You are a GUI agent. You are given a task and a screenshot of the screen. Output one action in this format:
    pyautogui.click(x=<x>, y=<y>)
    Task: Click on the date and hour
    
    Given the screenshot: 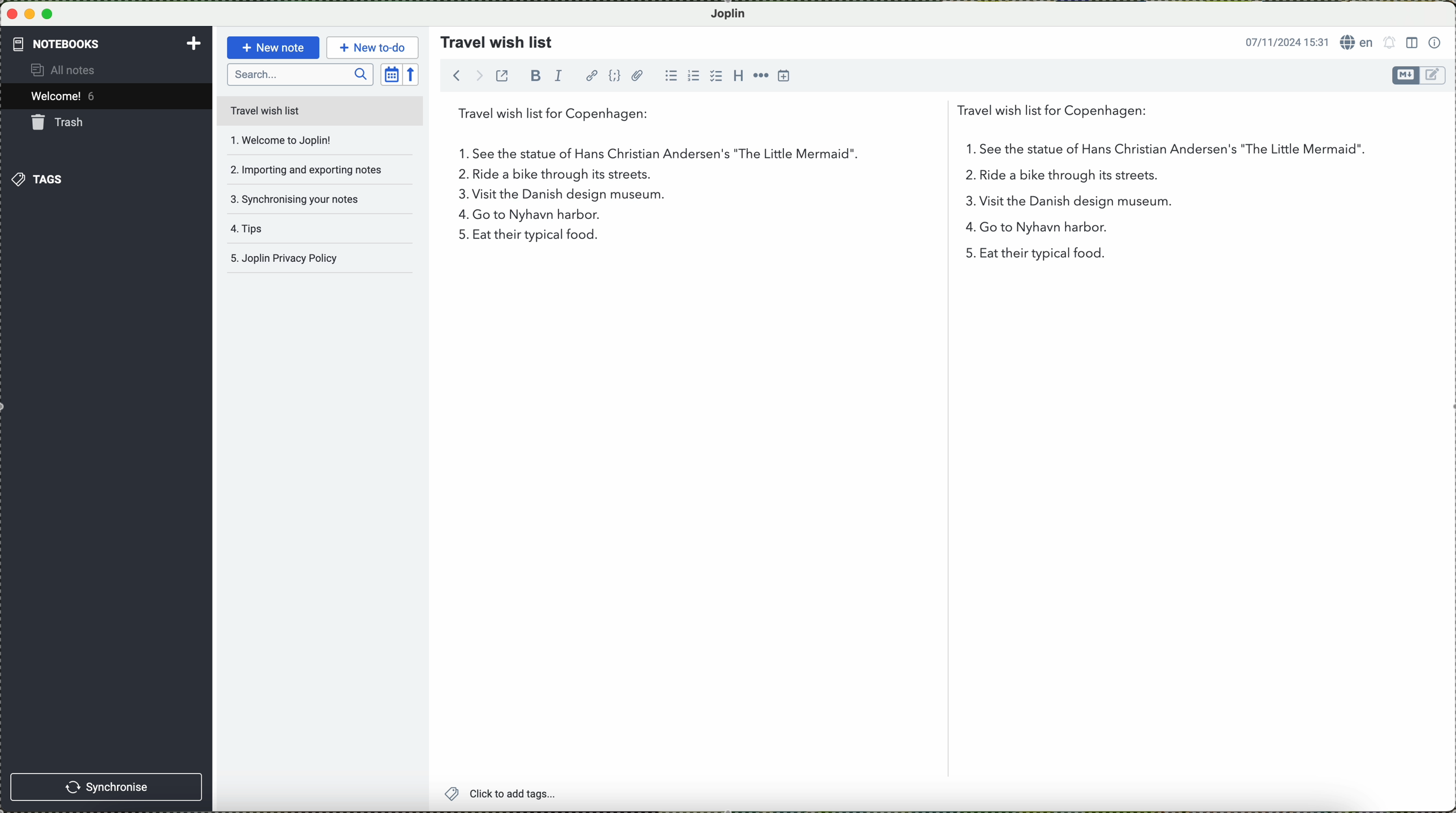 What is the action you would take?
    pyautogui.click(x=1283, y=41)
    